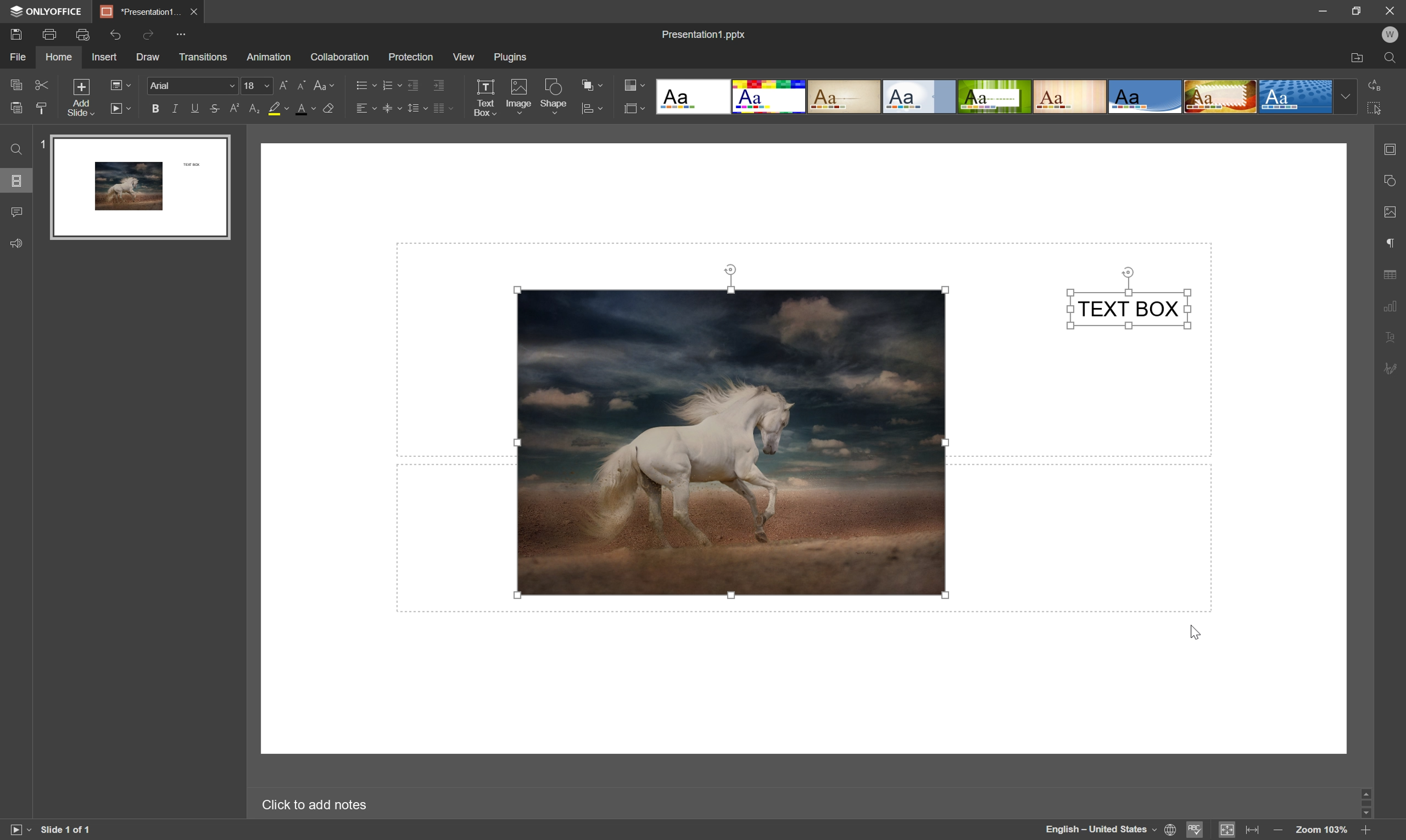  Describe the element at coordinates (279, 108) in the screenshot. I see `background color` at that location.